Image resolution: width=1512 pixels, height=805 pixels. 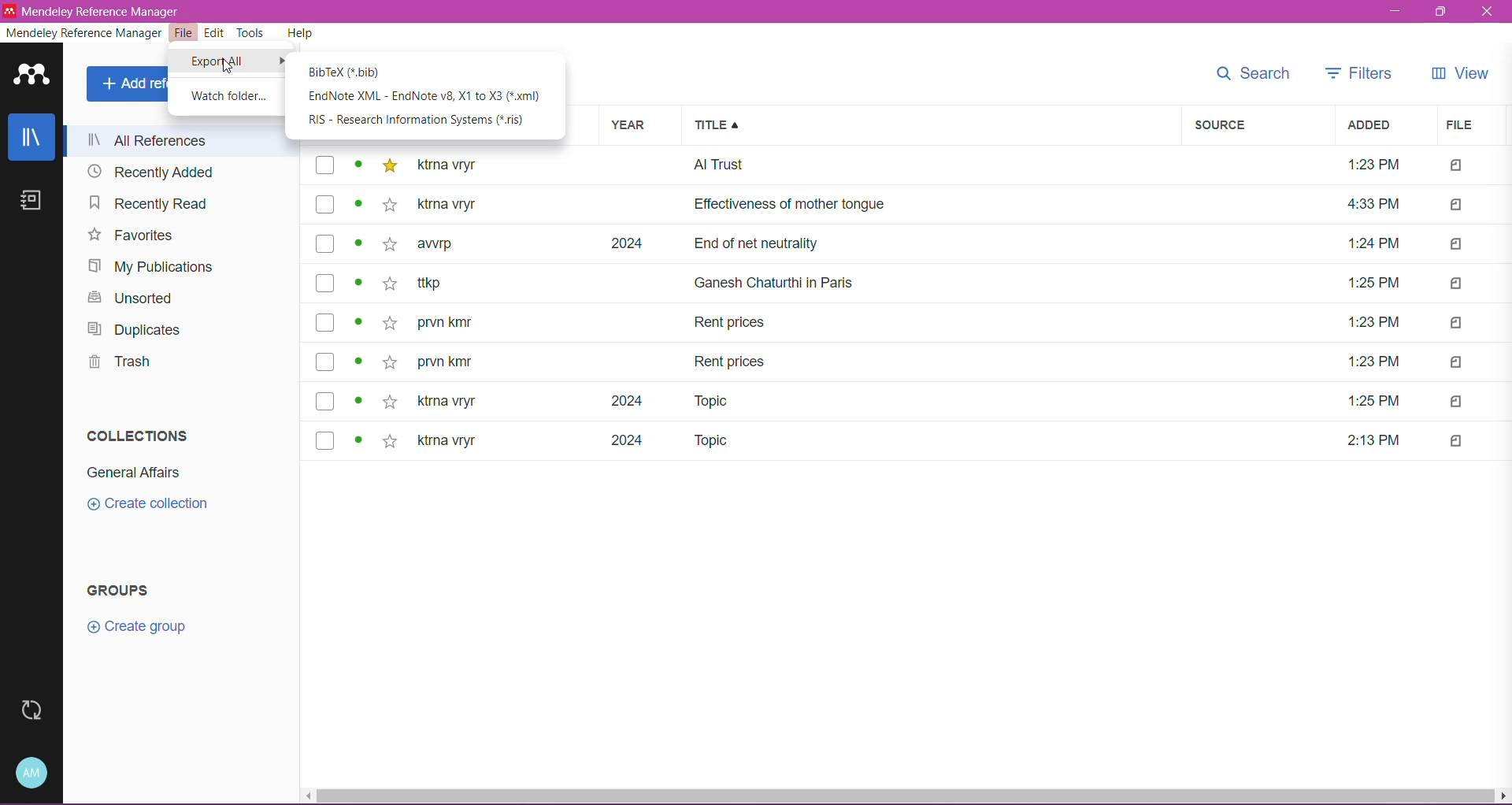 What do you see at coordinates (35, 139) in the screenshot?
I see `Library` at bounding box center [35, 139].